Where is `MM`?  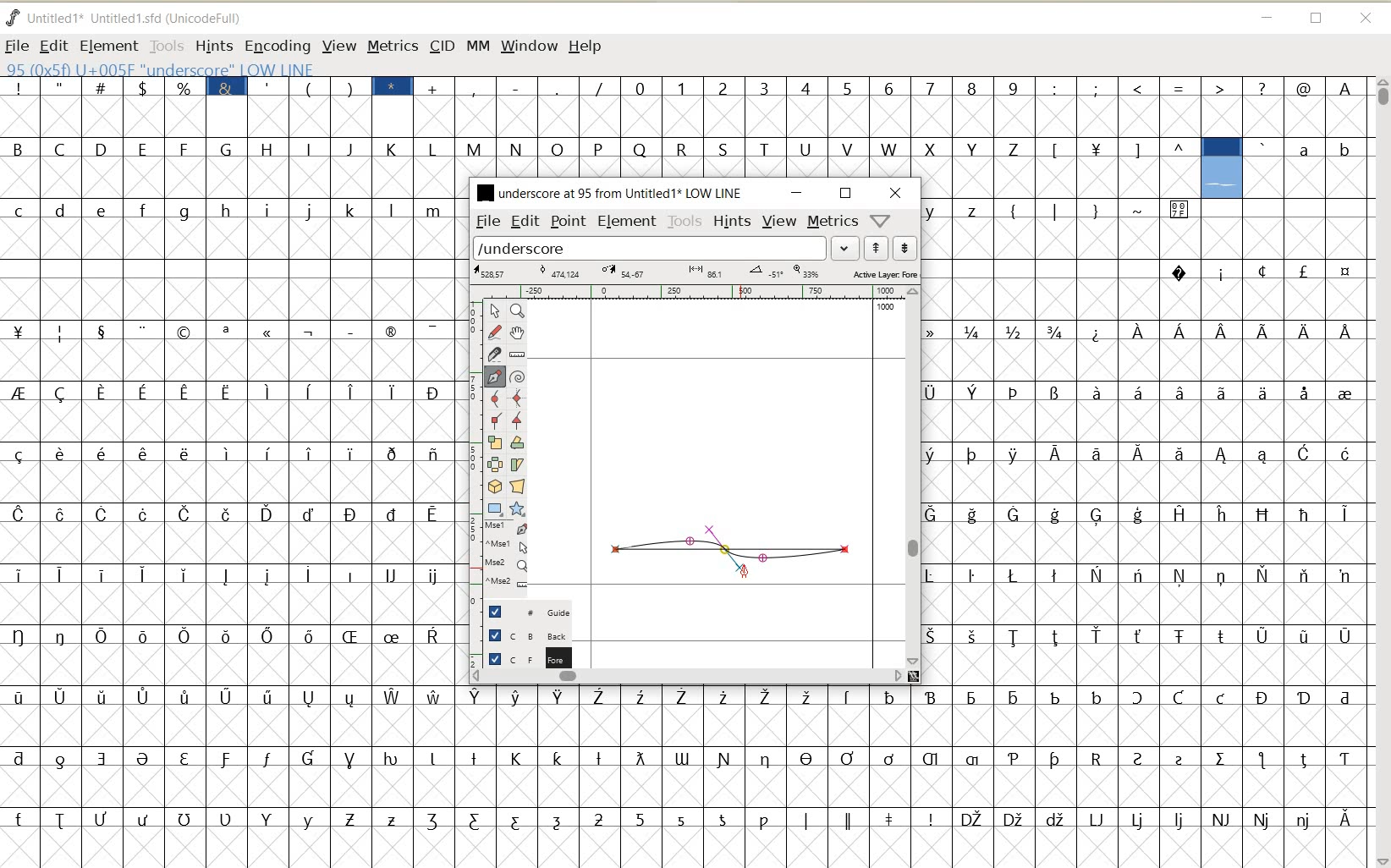 MM is located at coordinates (476, 45).